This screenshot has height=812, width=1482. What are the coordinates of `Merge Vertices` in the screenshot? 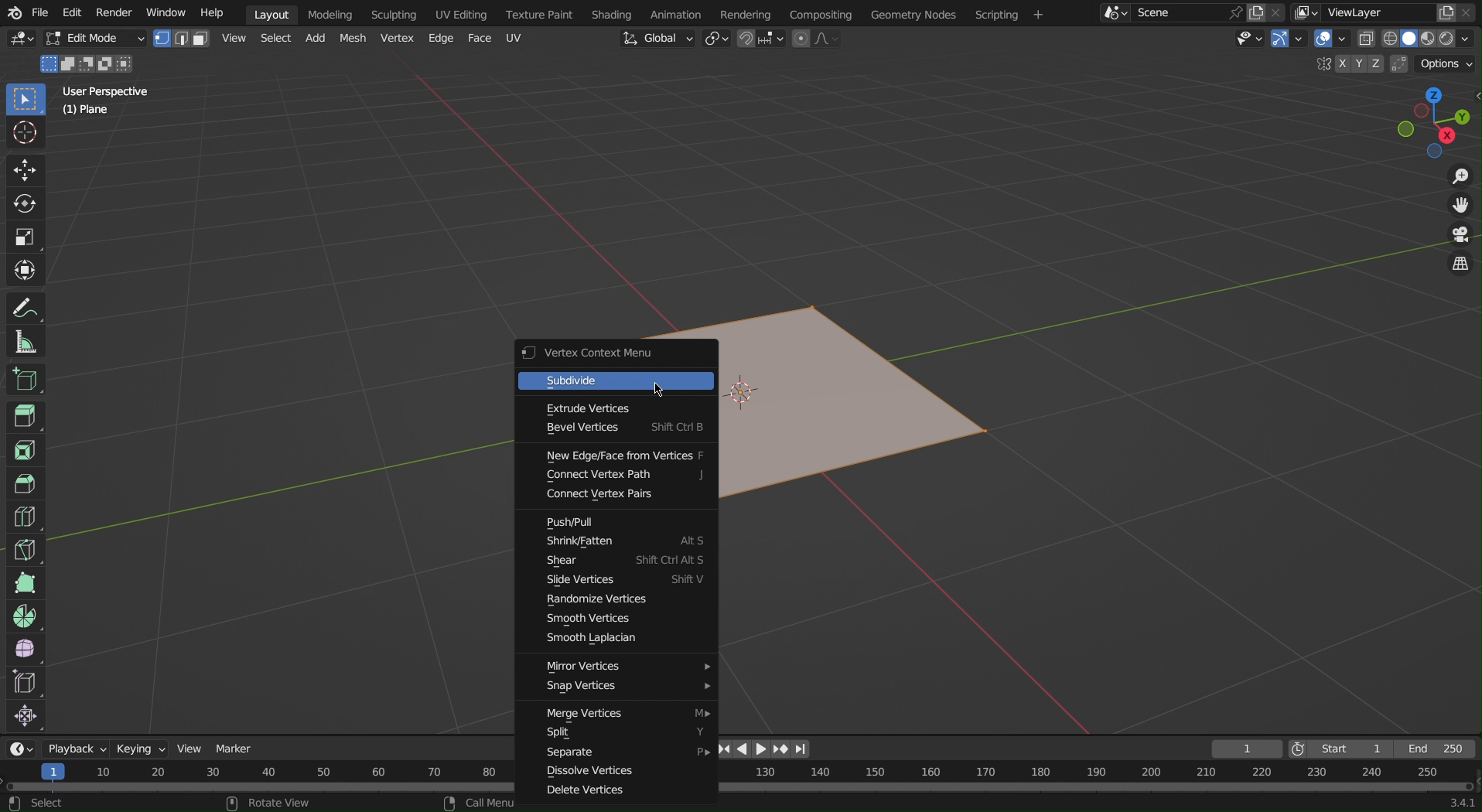 It's located at (623, 714).